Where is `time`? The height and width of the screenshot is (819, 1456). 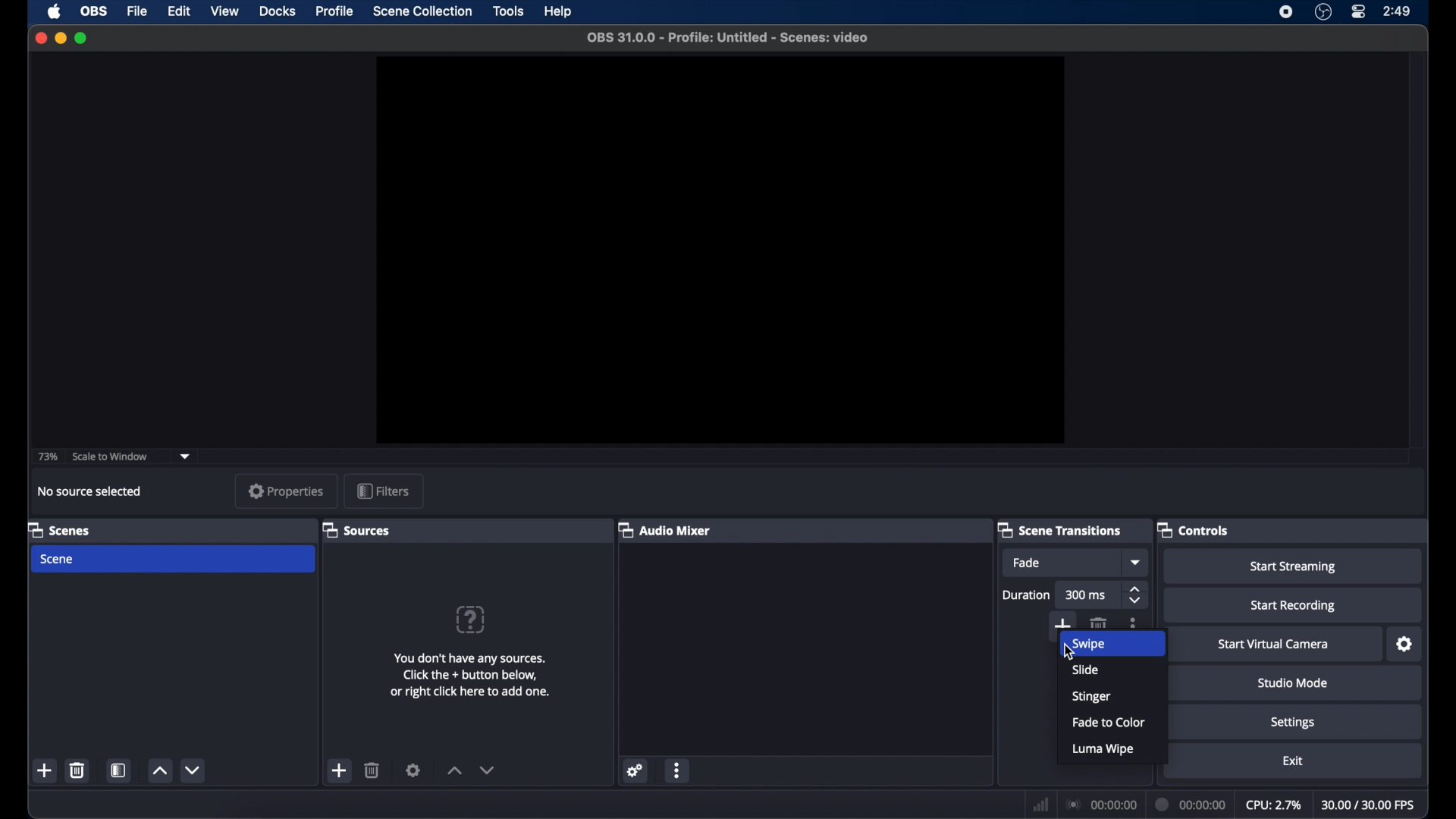
time is located at coordinates (1398, 11).